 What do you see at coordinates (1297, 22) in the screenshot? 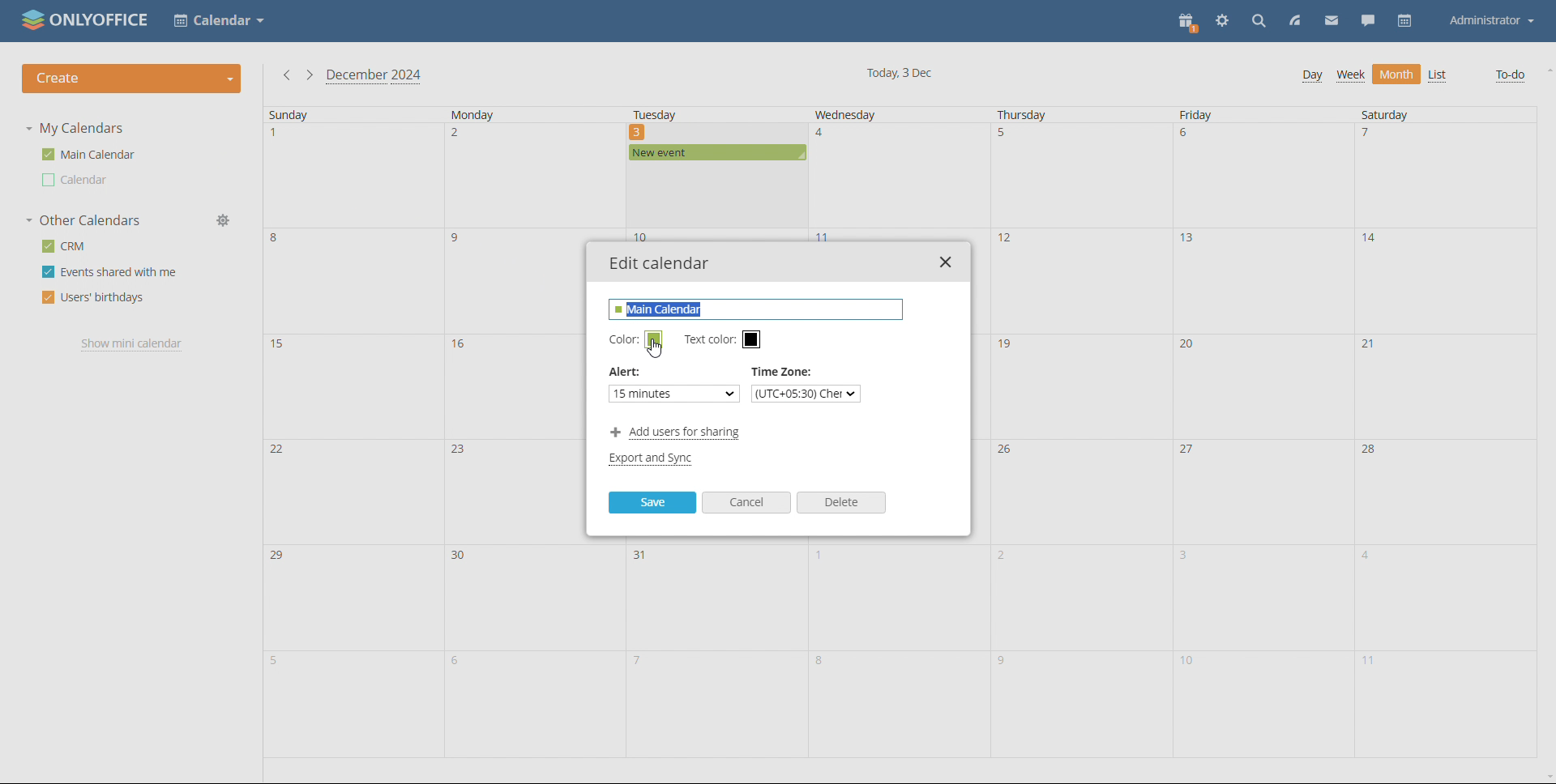
I see `feed` at bounding box center [1297, 22].